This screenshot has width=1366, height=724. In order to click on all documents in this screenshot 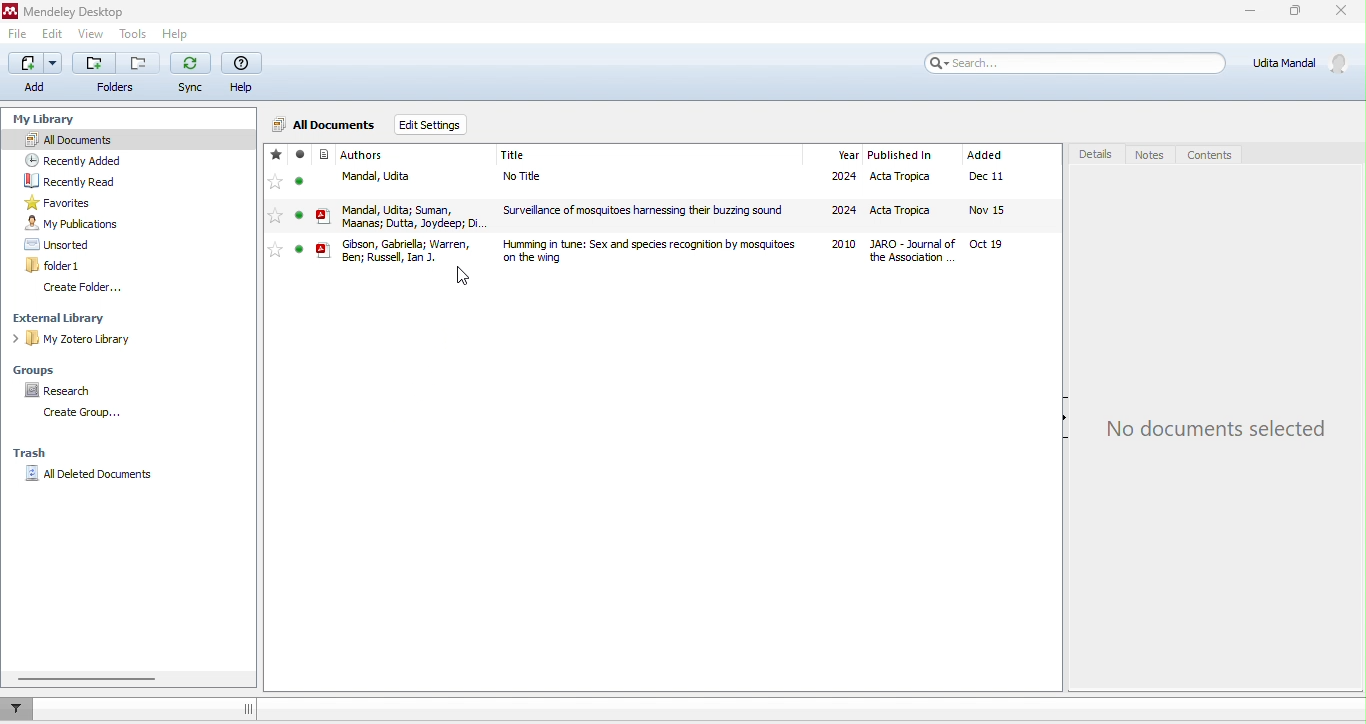, I will do `click(128, 138)`.